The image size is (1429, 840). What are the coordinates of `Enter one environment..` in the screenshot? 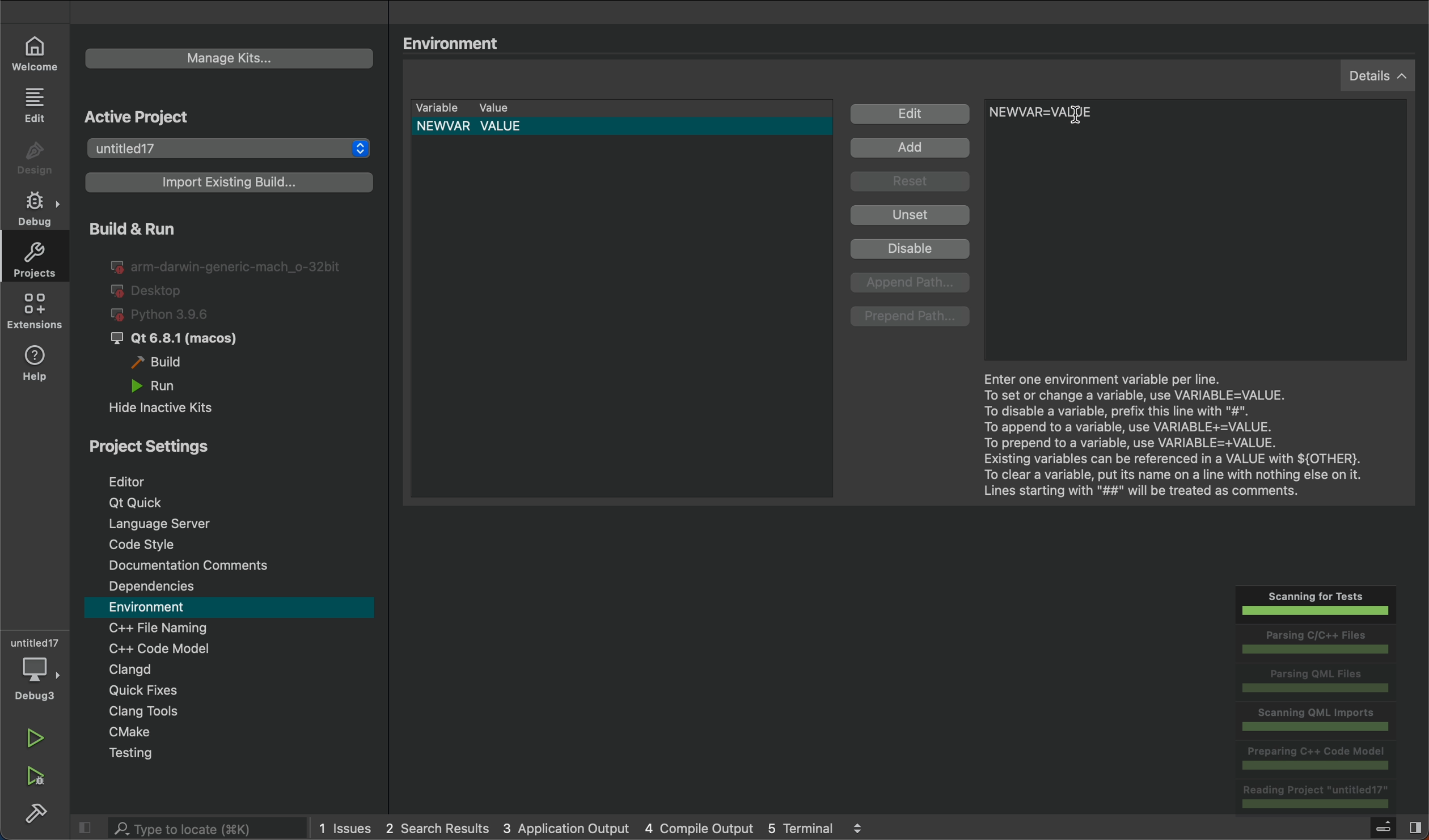 It's located at (1179, 429).